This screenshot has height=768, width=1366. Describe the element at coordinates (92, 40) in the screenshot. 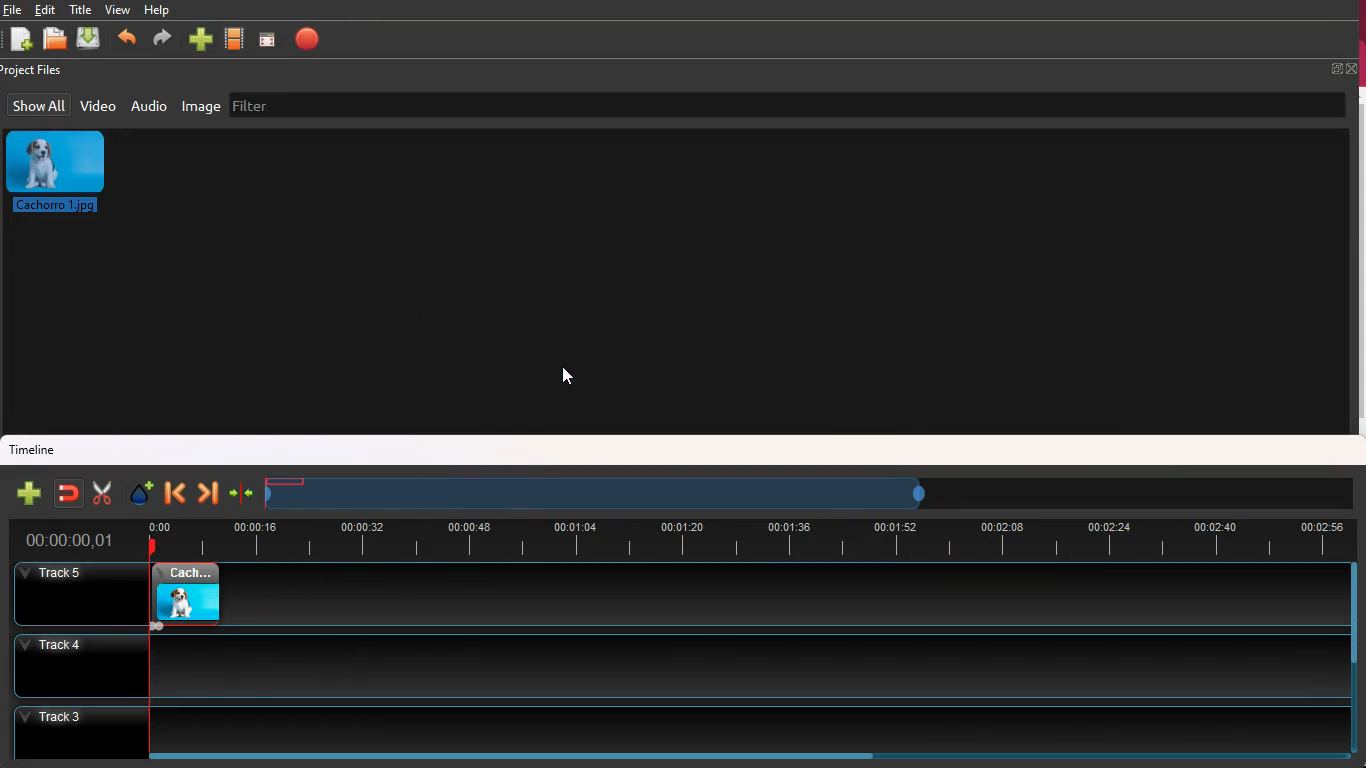

I see `dowload` at that location.